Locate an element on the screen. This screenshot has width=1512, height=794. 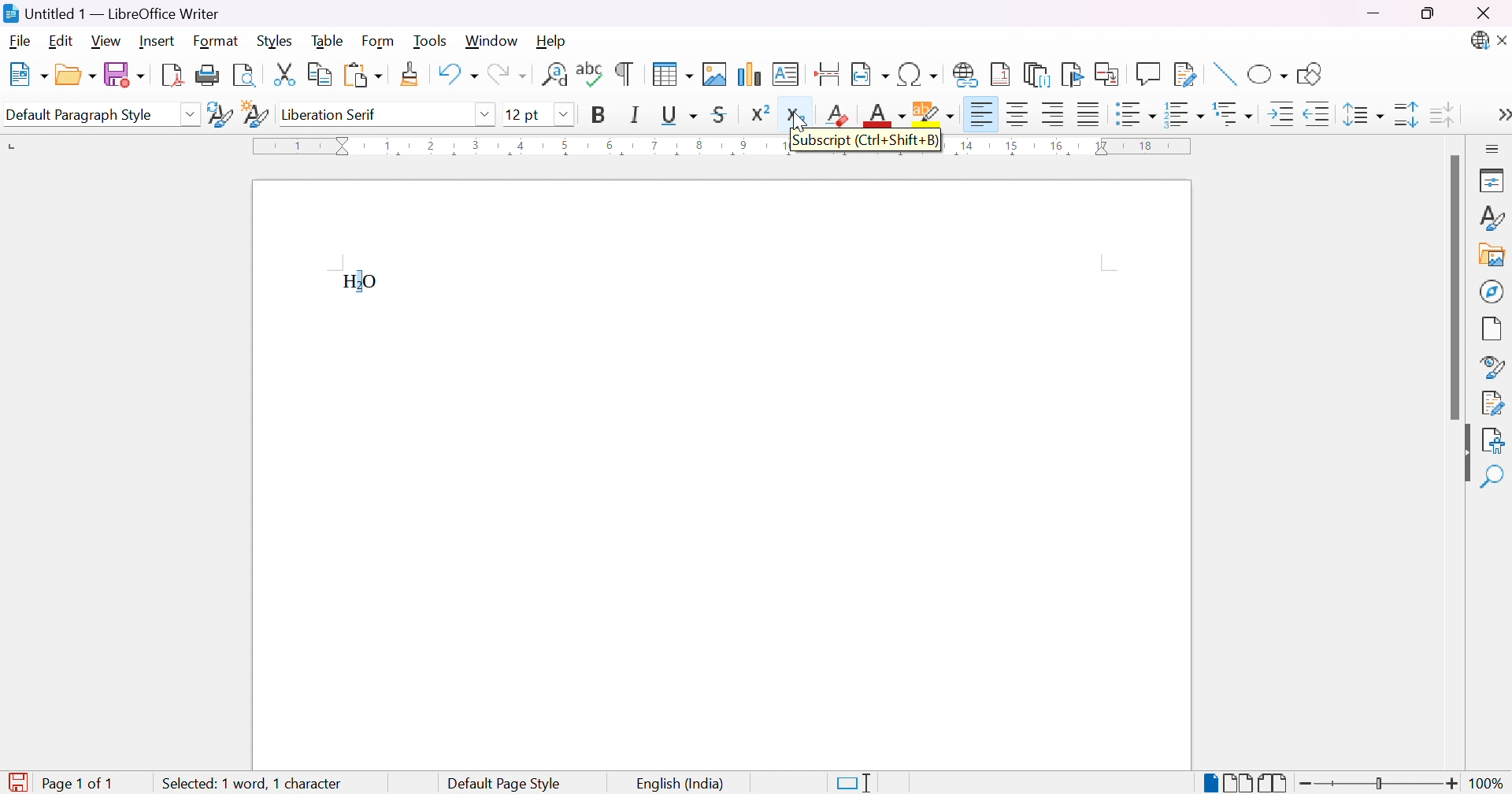
New style from selection is located at coordinates (258, 116).